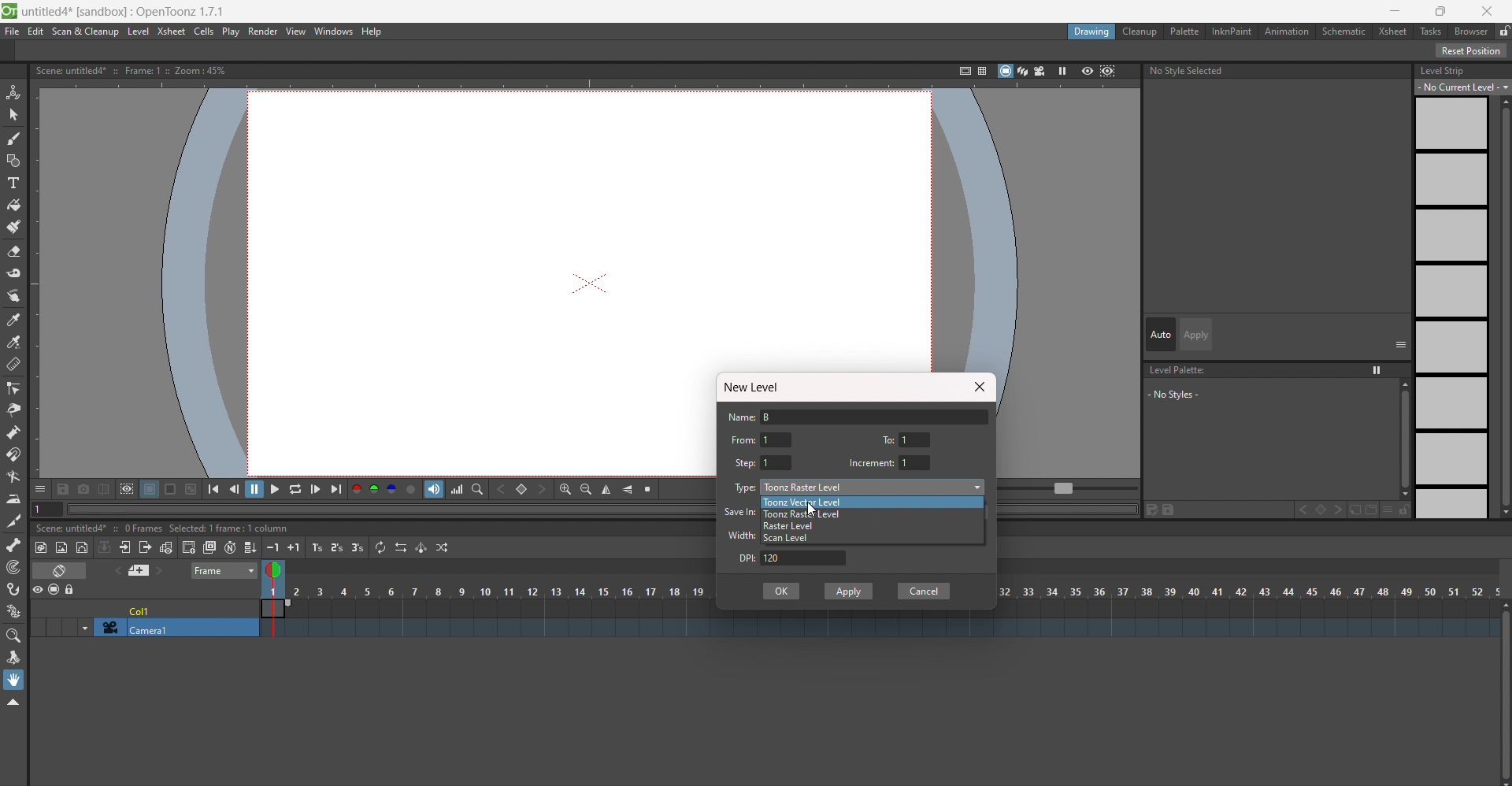  Describe the element at coordinates (1343, 31) in the screenshot. I see `schematic` at that location.